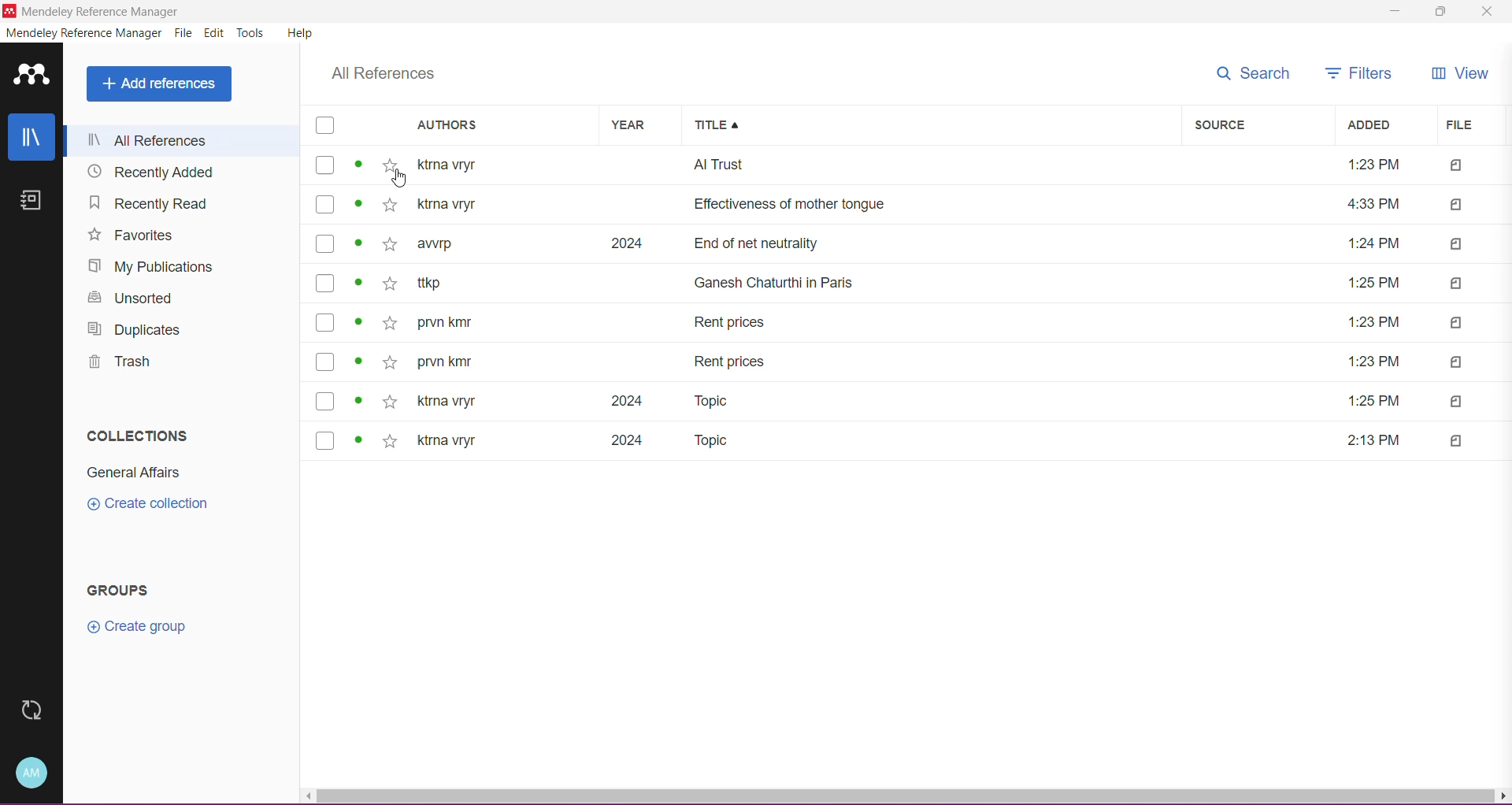 The height and width of the screenshot is (805, 1512). I want to click on Source, so click(1259, 125).